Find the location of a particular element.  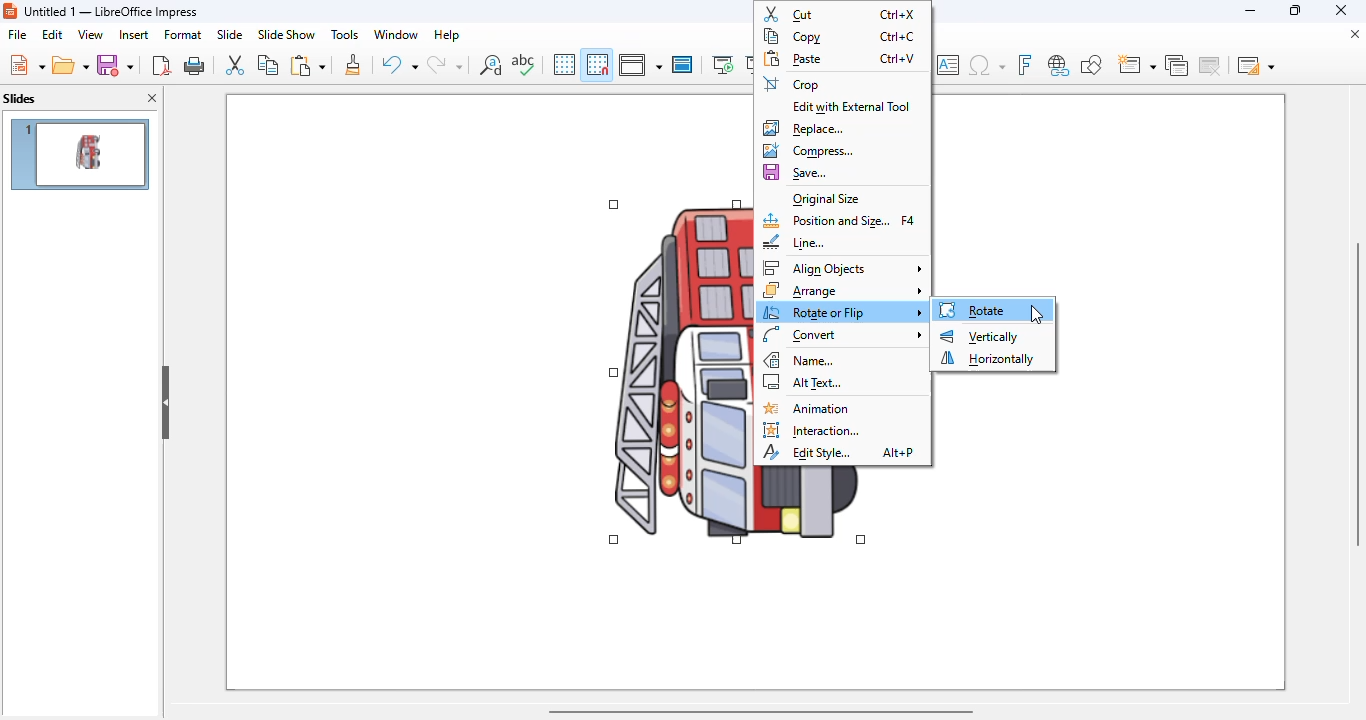

copy is located at coordinates (841, 37).